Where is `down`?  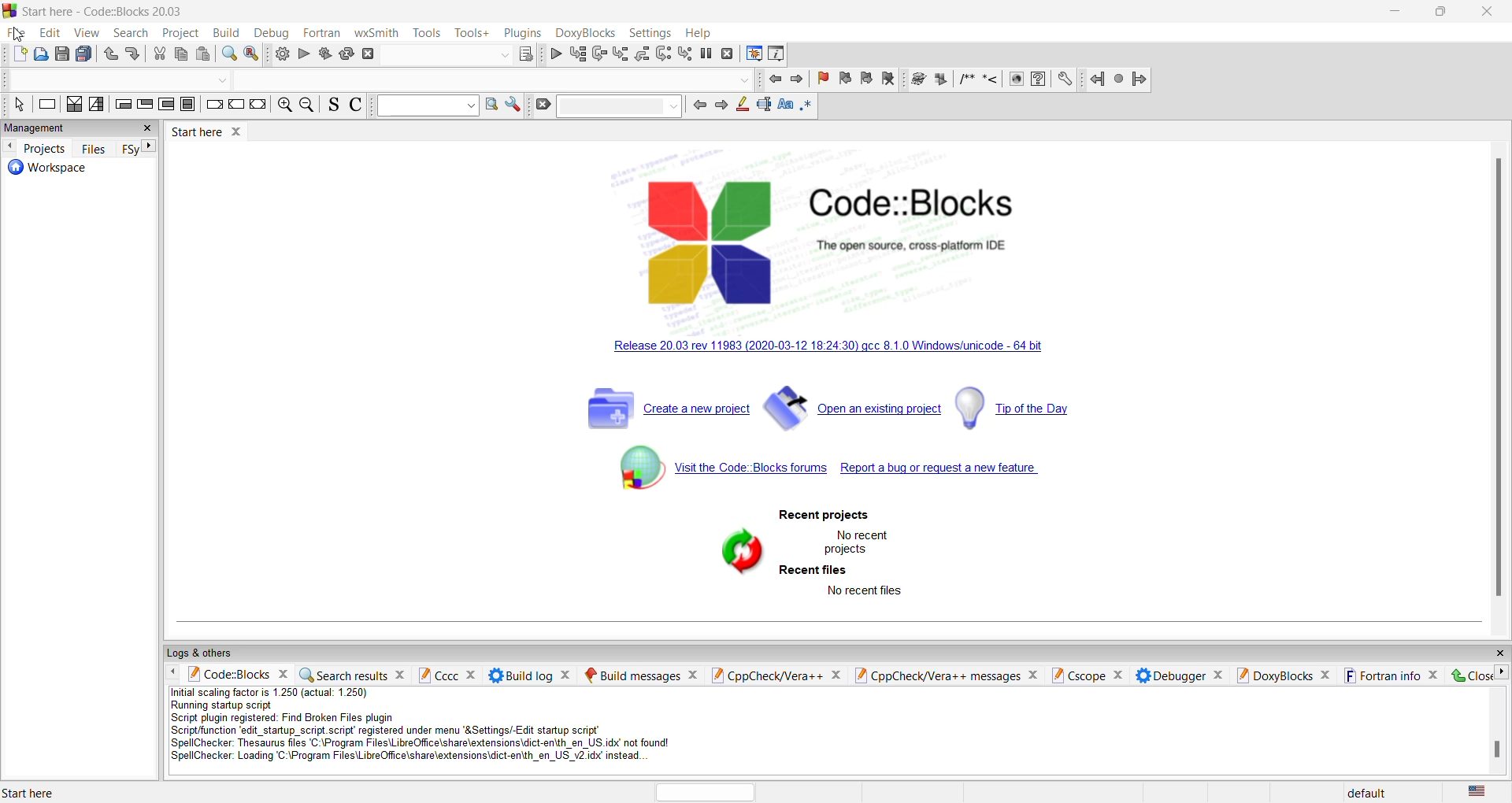
down is located at coordinates (221, 81).